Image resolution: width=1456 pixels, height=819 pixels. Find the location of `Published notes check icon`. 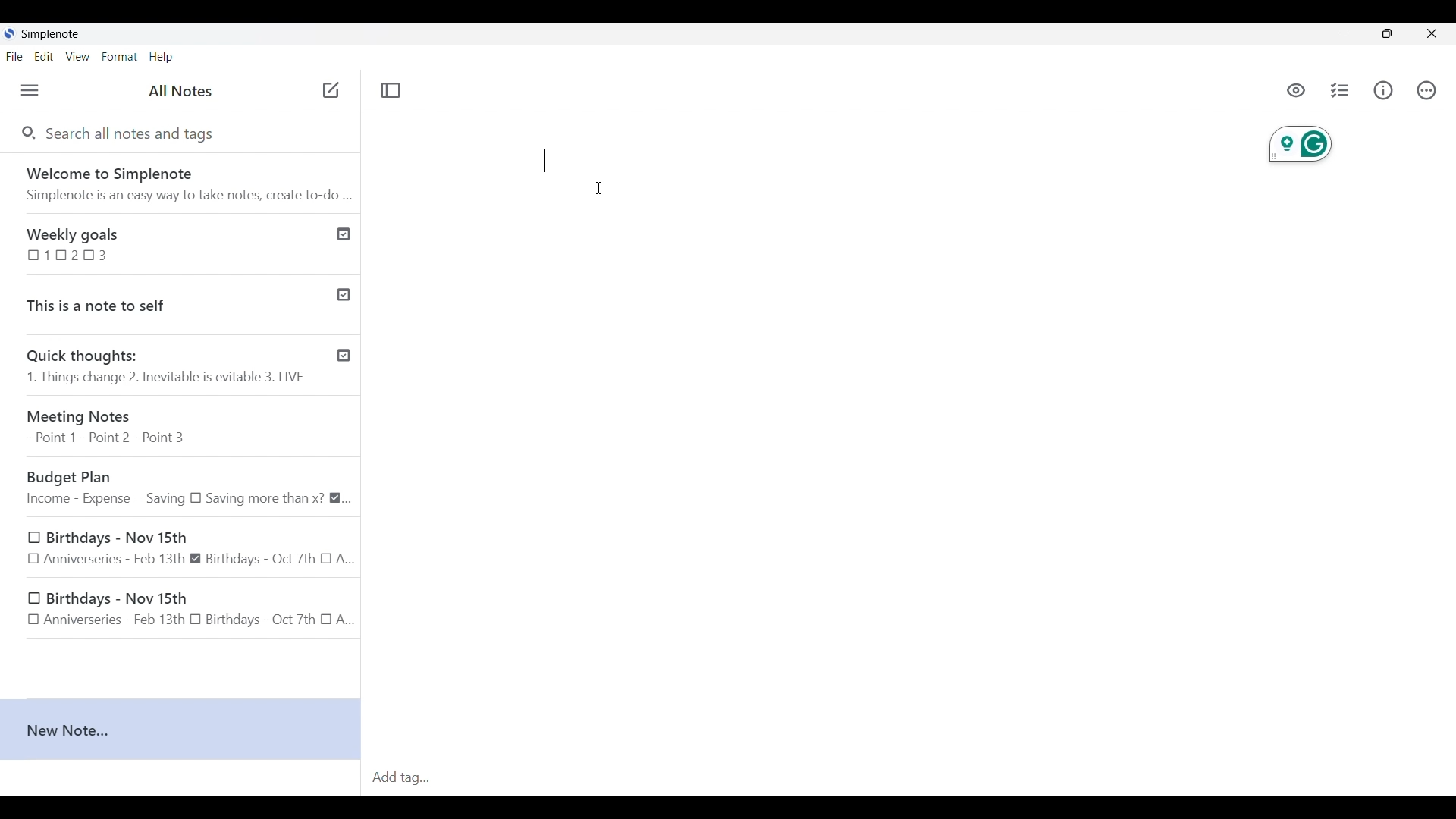

Published notes check icon is located at coordinates (344, 292).